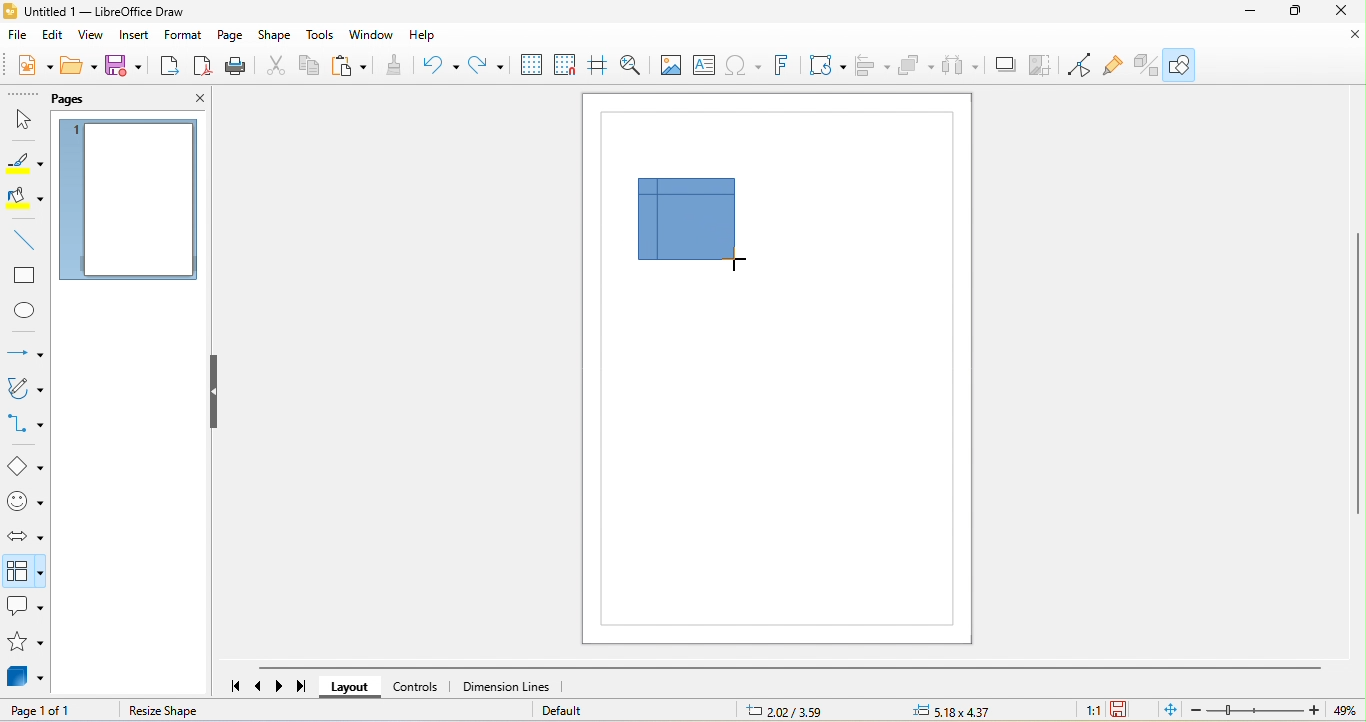 The height and width of the screenshot is (722, 1366). What do you see at coordinates (310, 68) in the screenshot?
I see `copy` at bounding box center [310, 68].